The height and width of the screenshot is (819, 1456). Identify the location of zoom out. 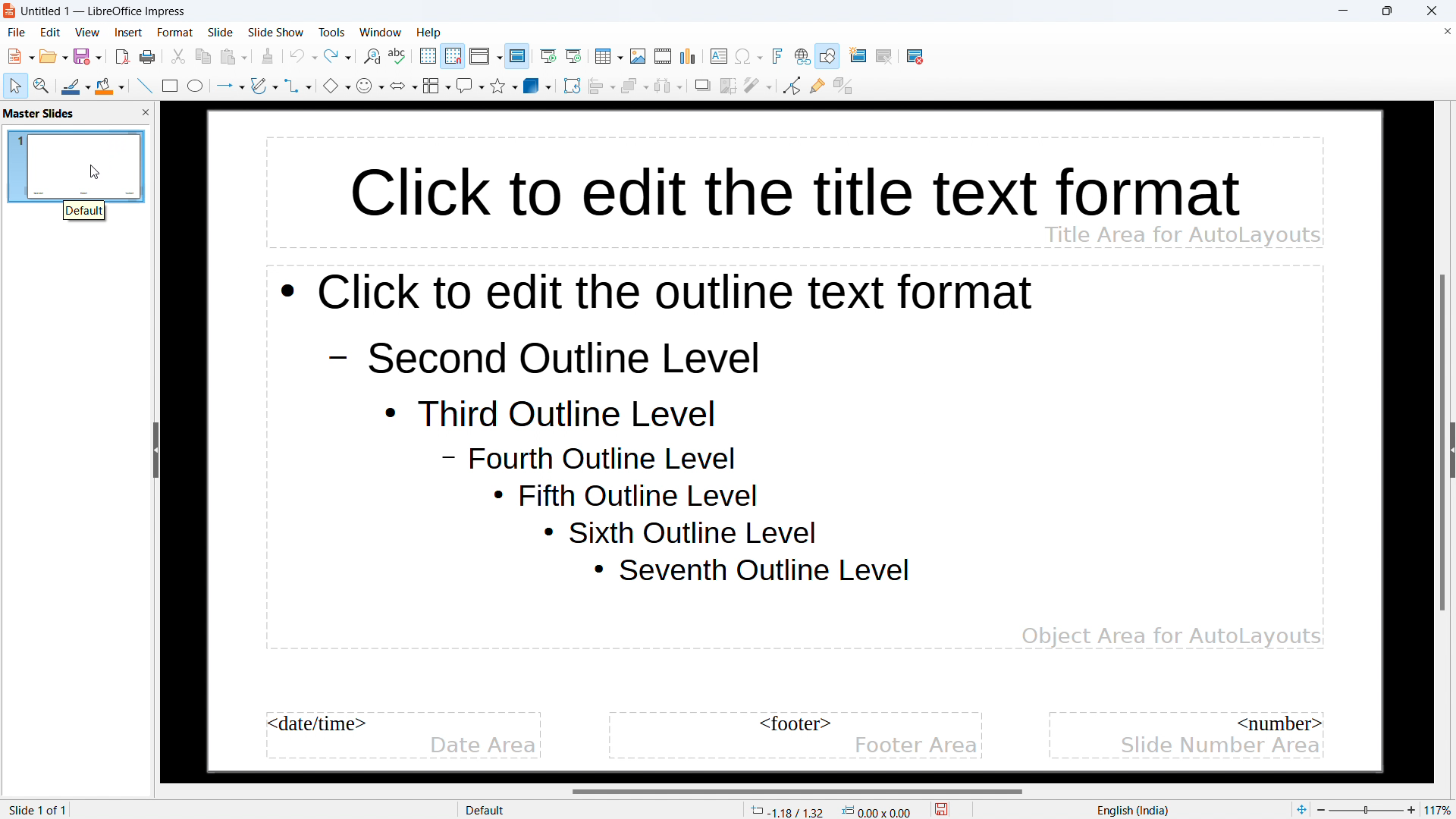
(1322, 809).